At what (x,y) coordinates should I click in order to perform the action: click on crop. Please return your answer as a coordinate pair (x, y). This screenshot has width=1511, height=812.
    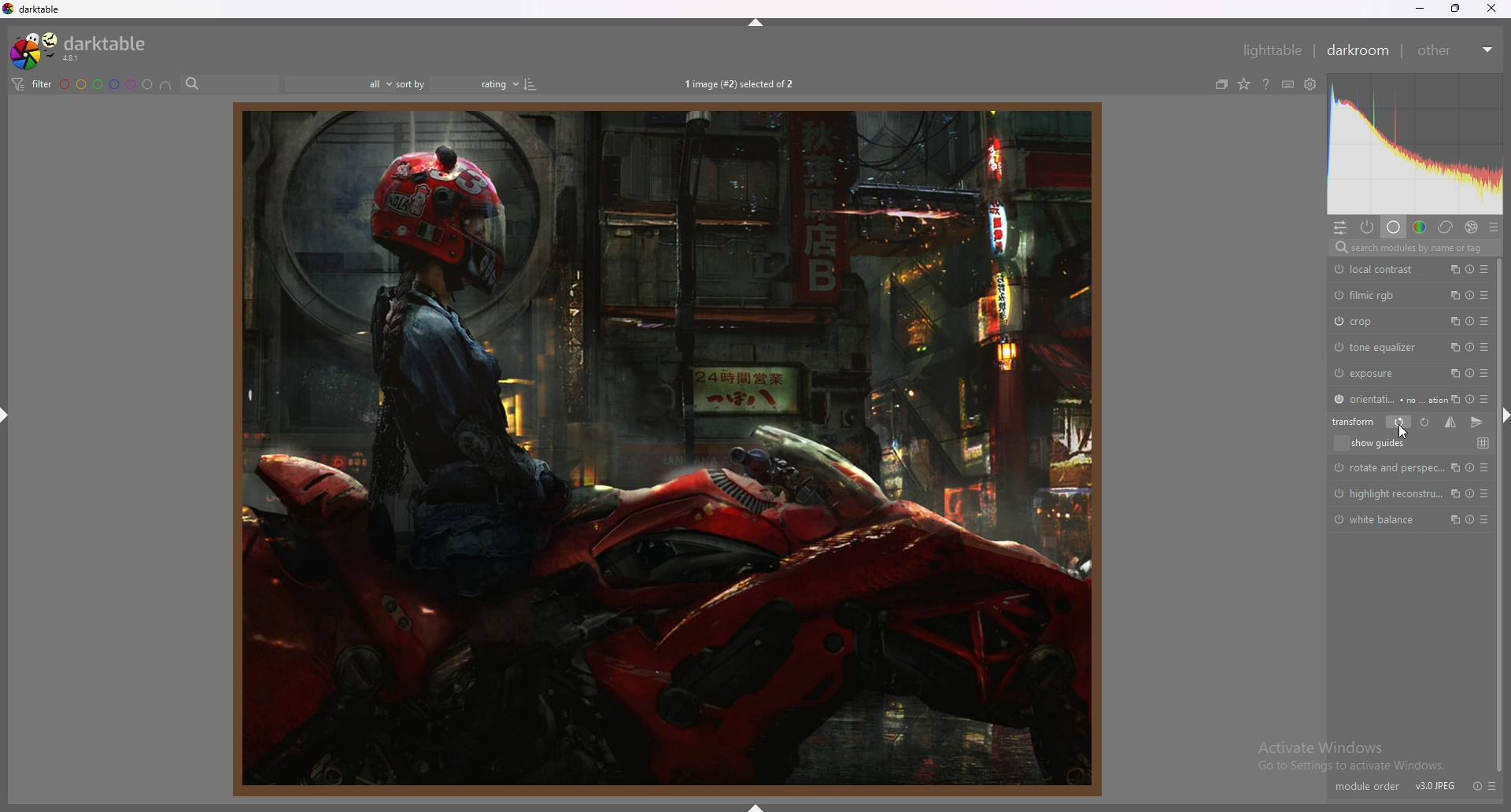
    Looking at the image, I should click on (1368, 321).